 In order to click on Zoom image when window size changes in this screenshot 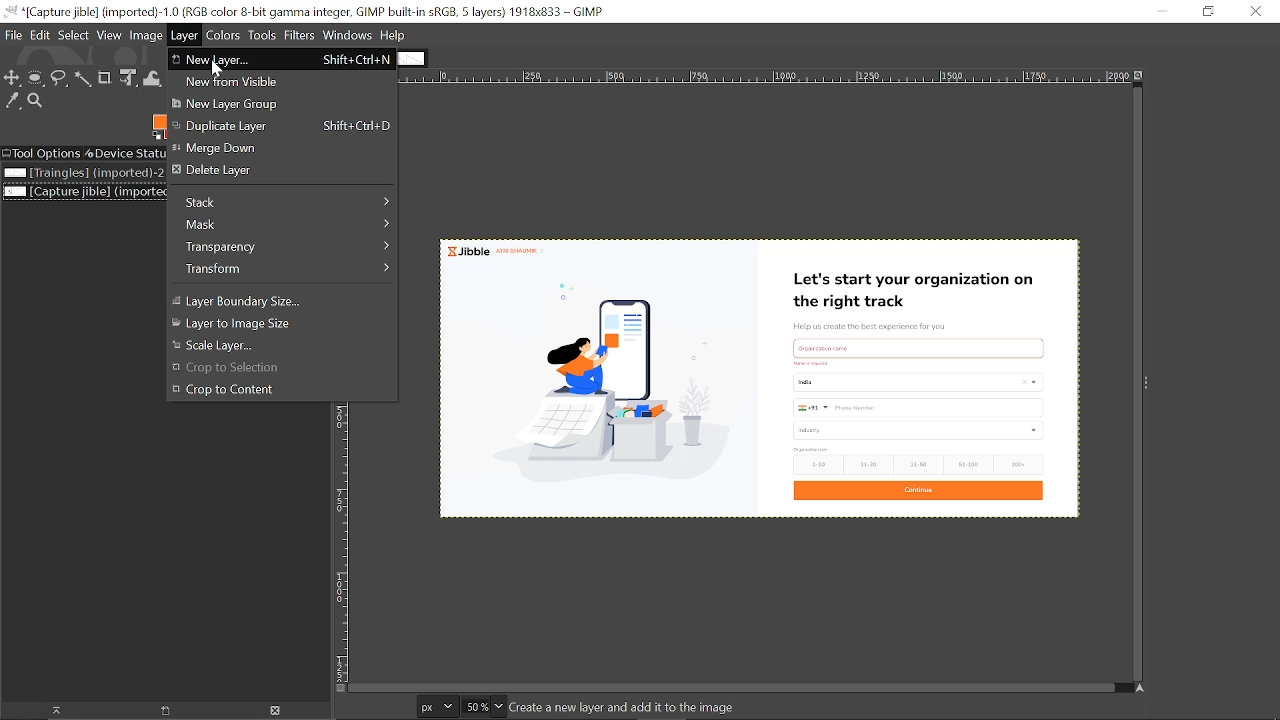, I will do `click(1140, 74)`.